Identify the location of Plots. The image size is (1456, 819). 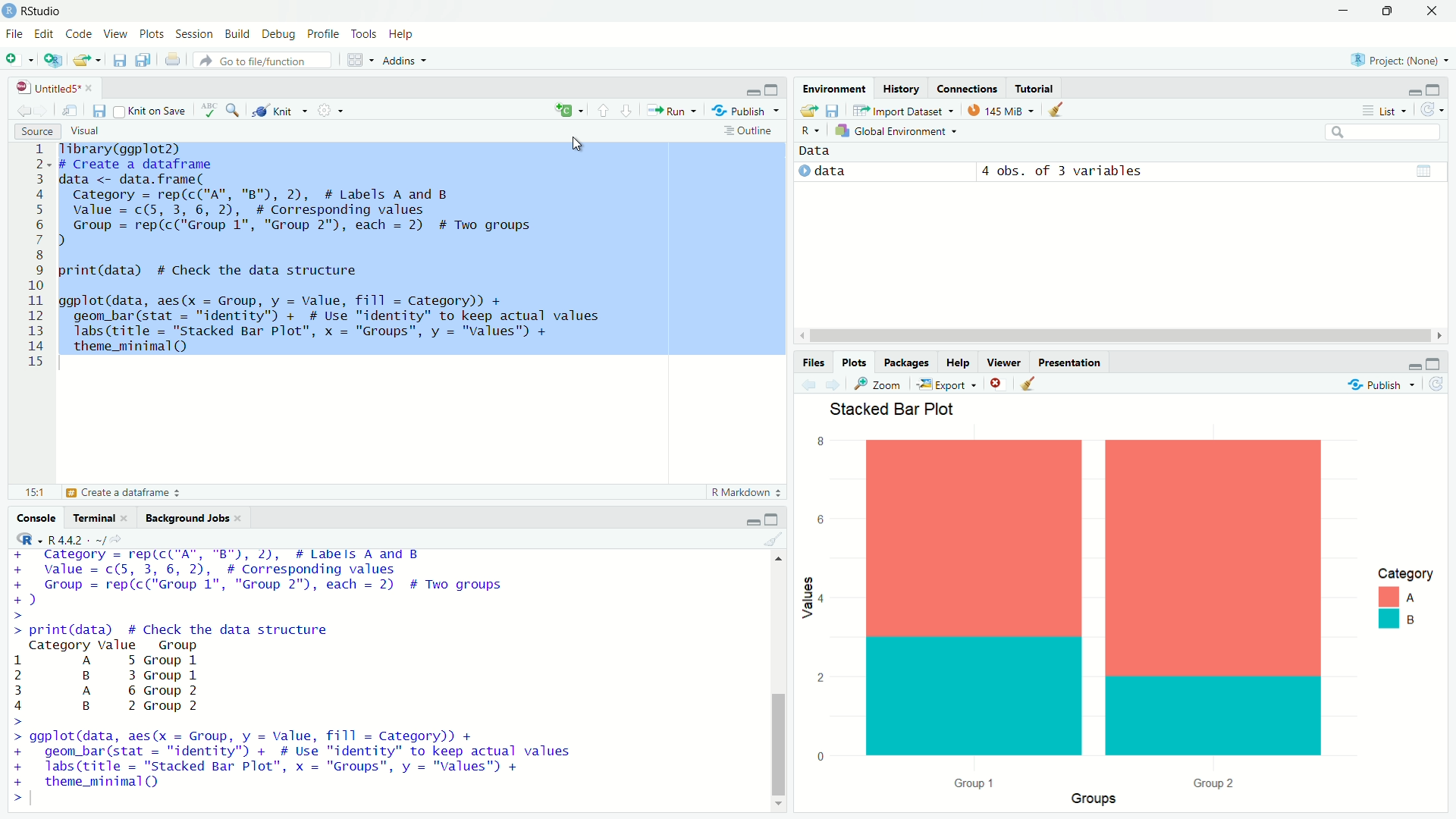
(152, 33).